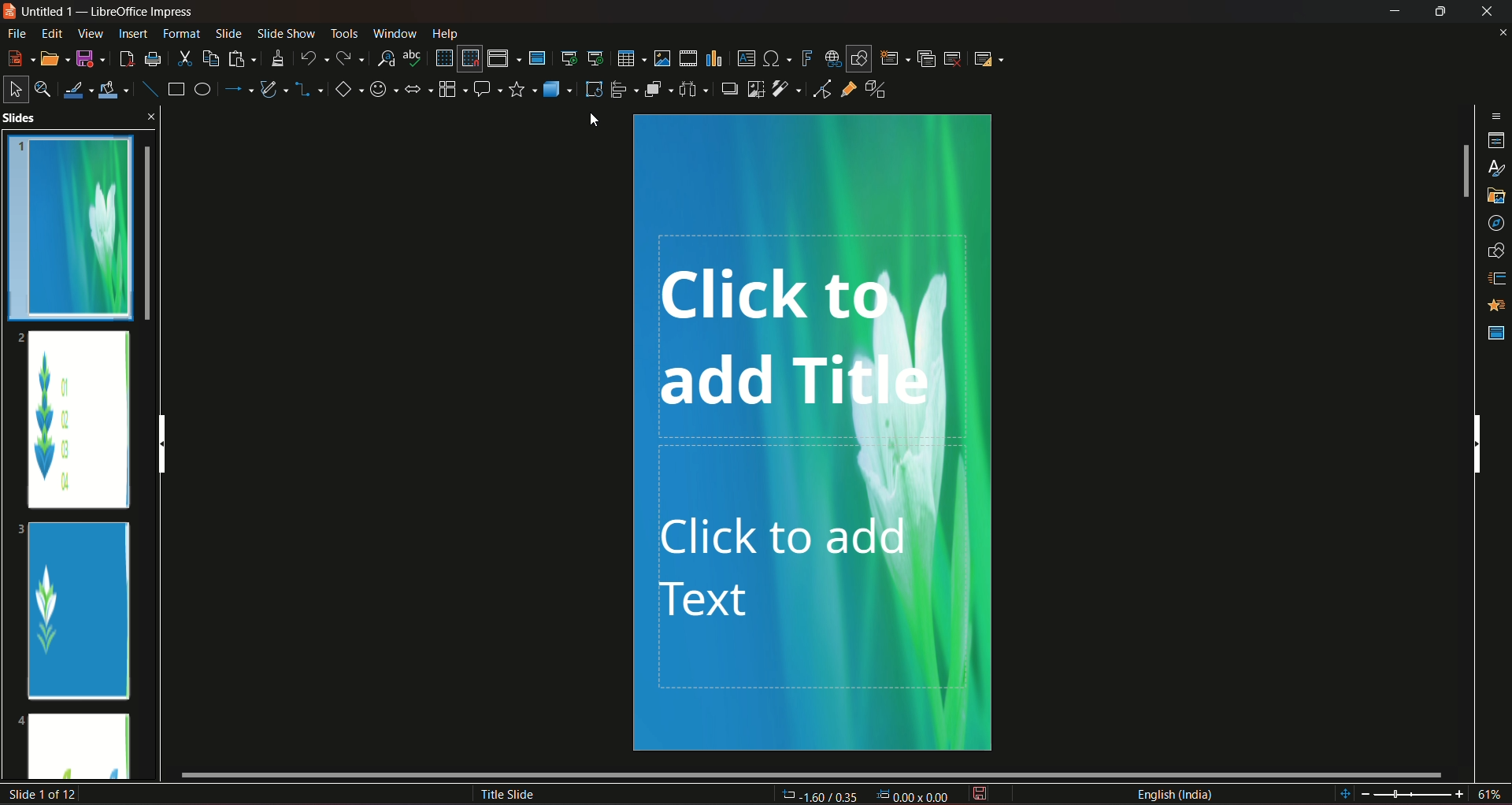 Image resolution: width=1512 pixels, height=805 pixels. I want to click on curves and polygon, so click(276, 91).